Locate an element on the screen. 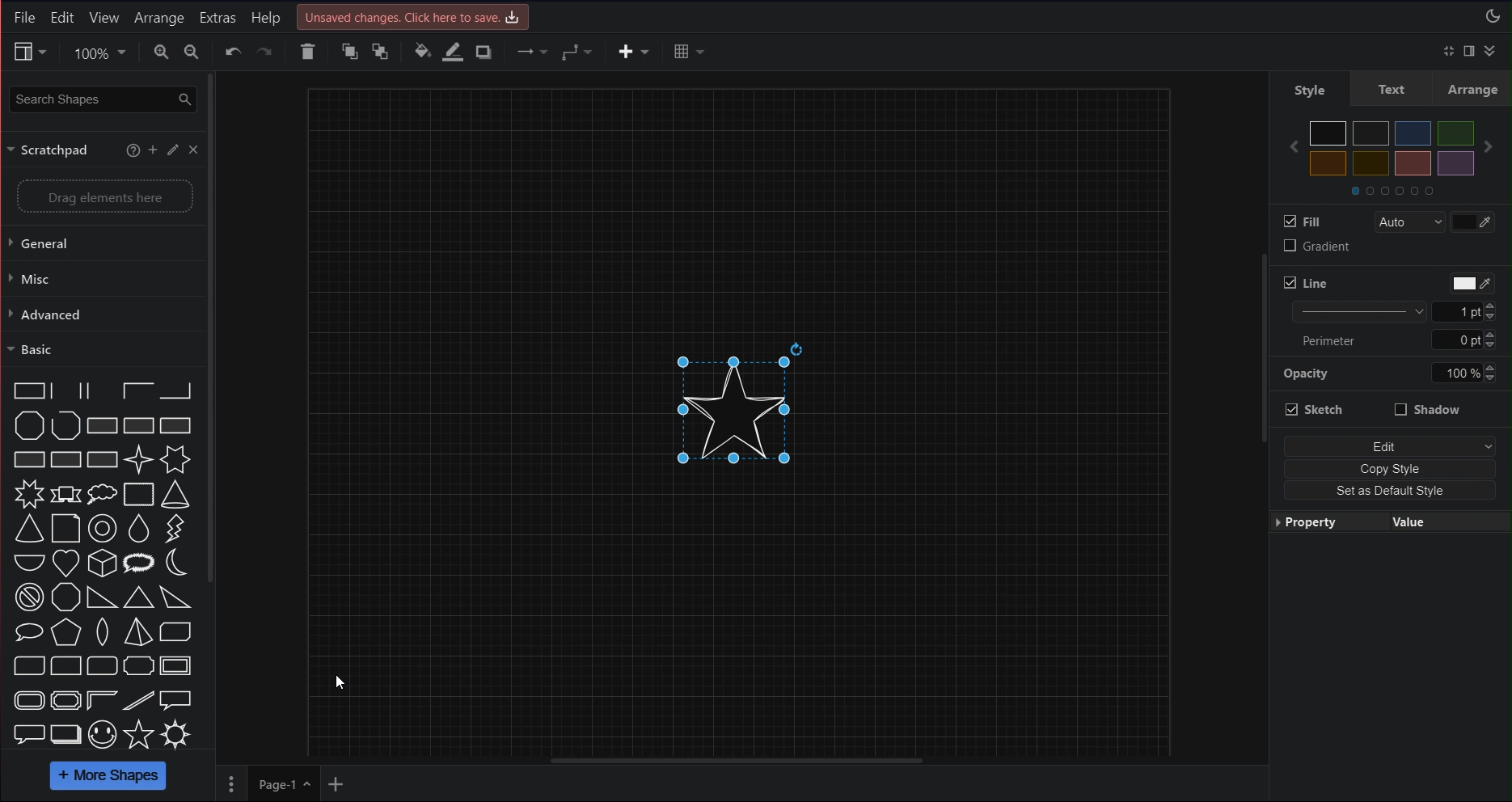 Image resolution: width=1512 pixels, height=802 pixels. Edit is located at coordinates (1390, 445).